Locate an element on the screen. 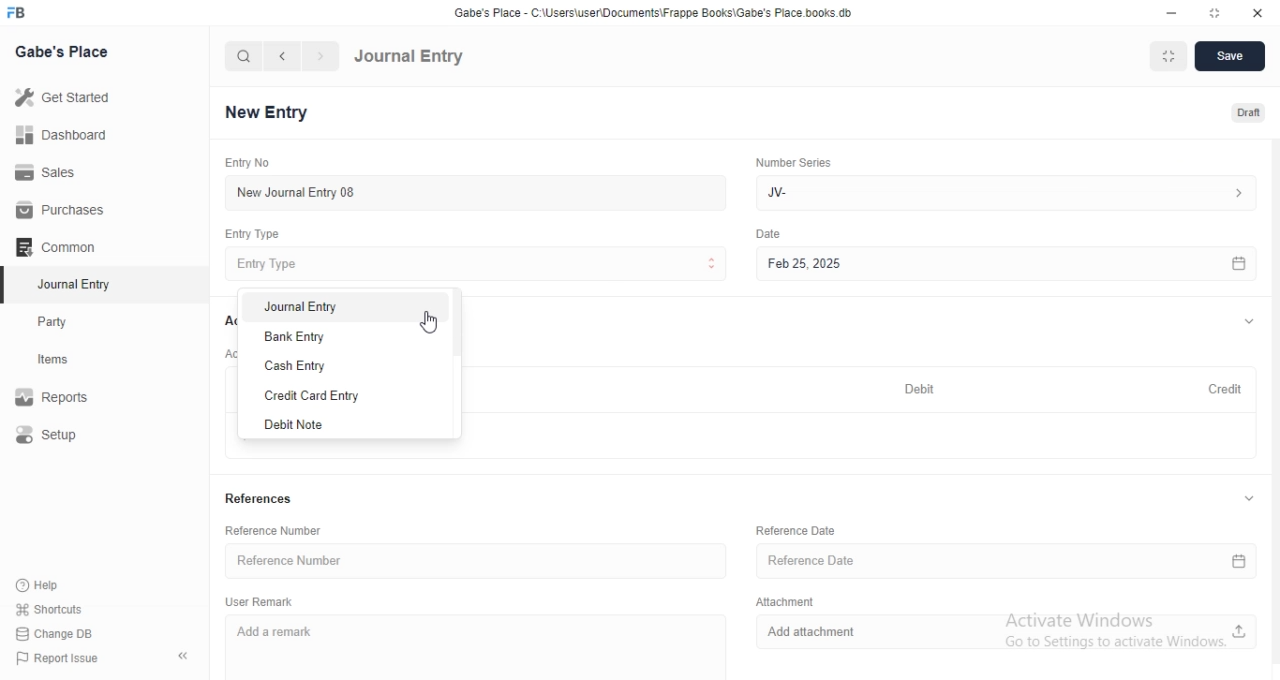  vertical scroll bar is located at coordinates (456, 363).